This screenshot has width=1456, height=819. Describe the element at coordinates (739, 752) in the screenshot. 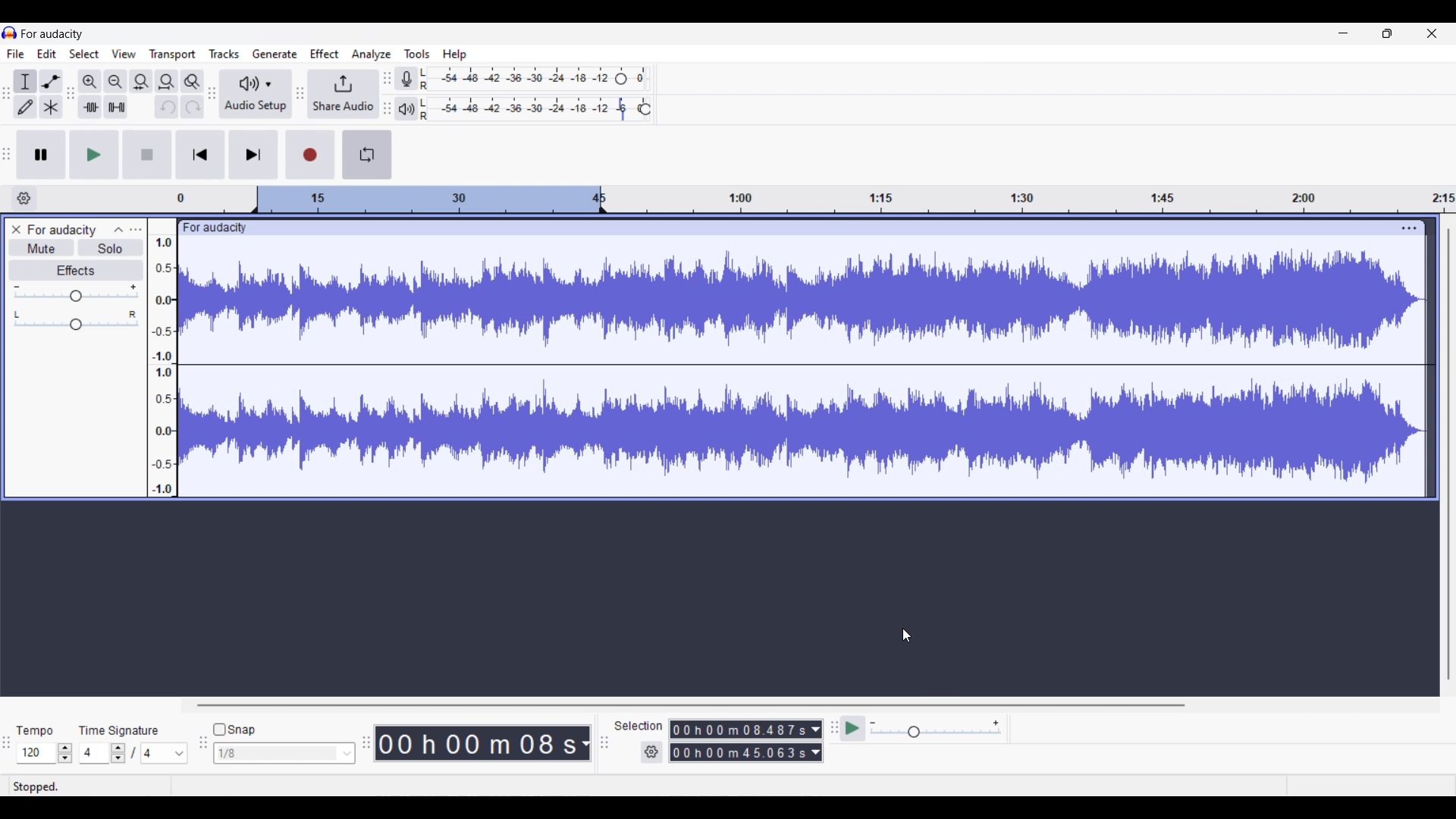

I see `Selection duration measurement` at that location.